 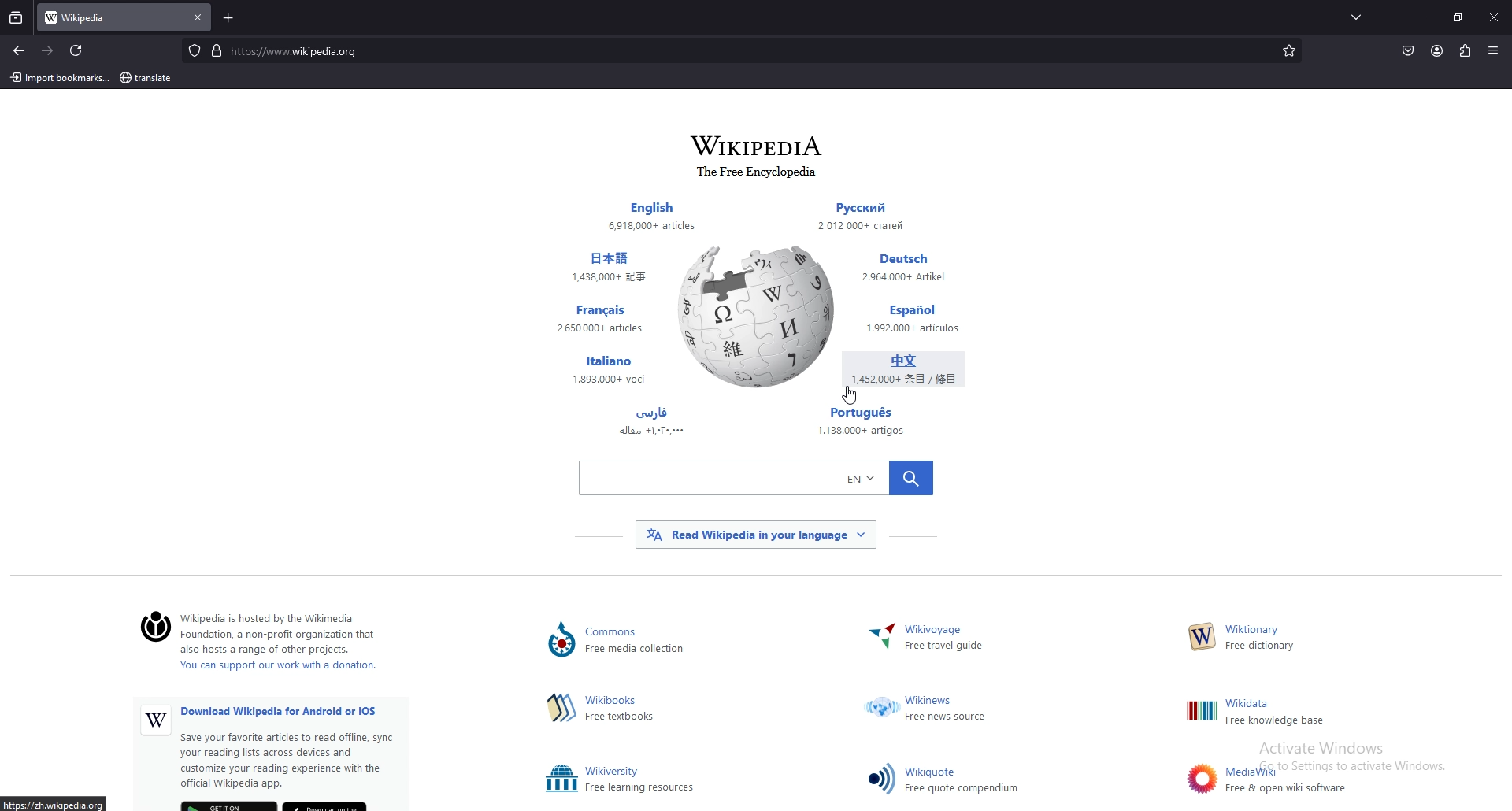 I want to click on , so click(x=609, y=371).